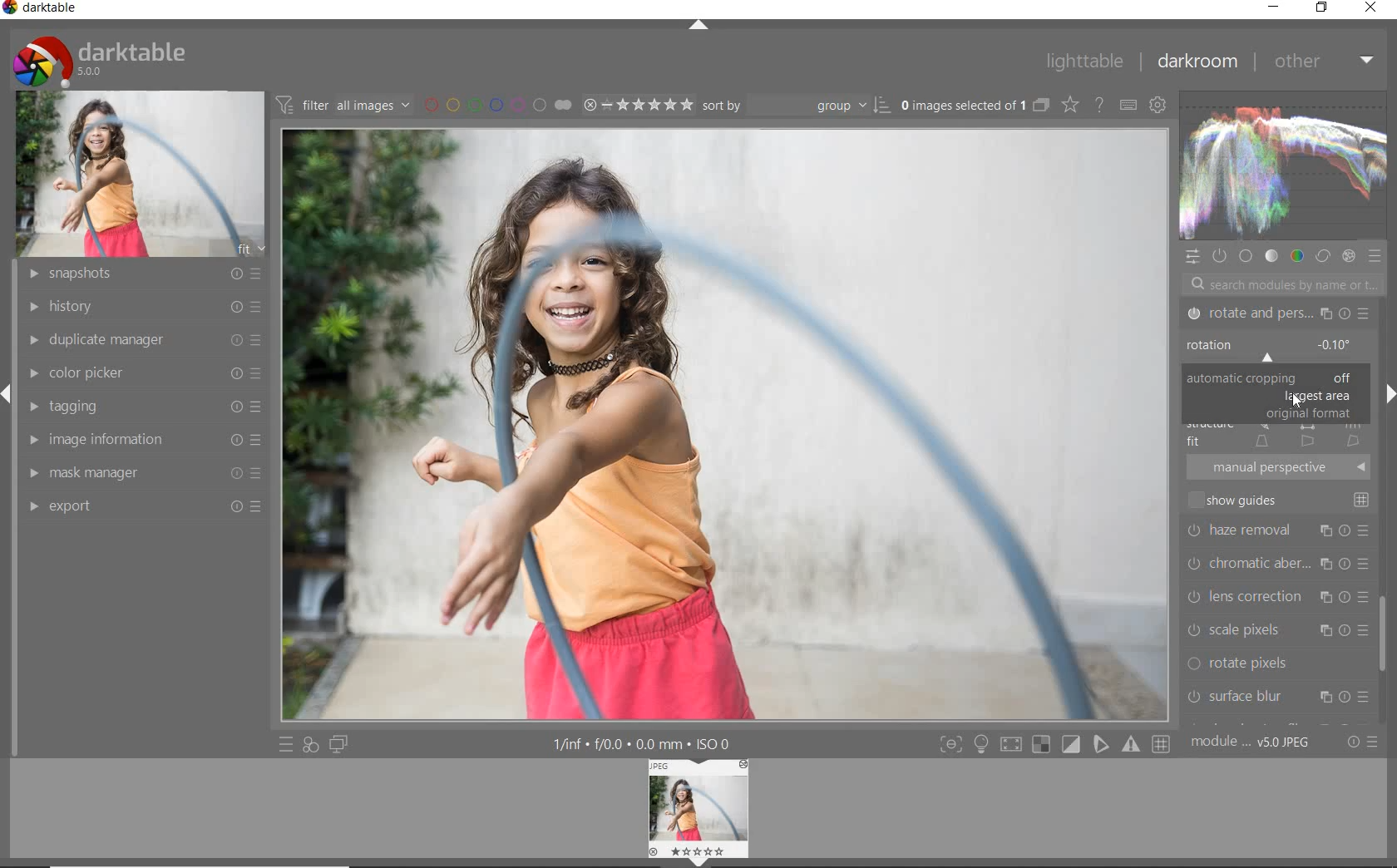  Describe the element at coordinates (1084, 62) in the screenshot. I see `lighttable` at that location.